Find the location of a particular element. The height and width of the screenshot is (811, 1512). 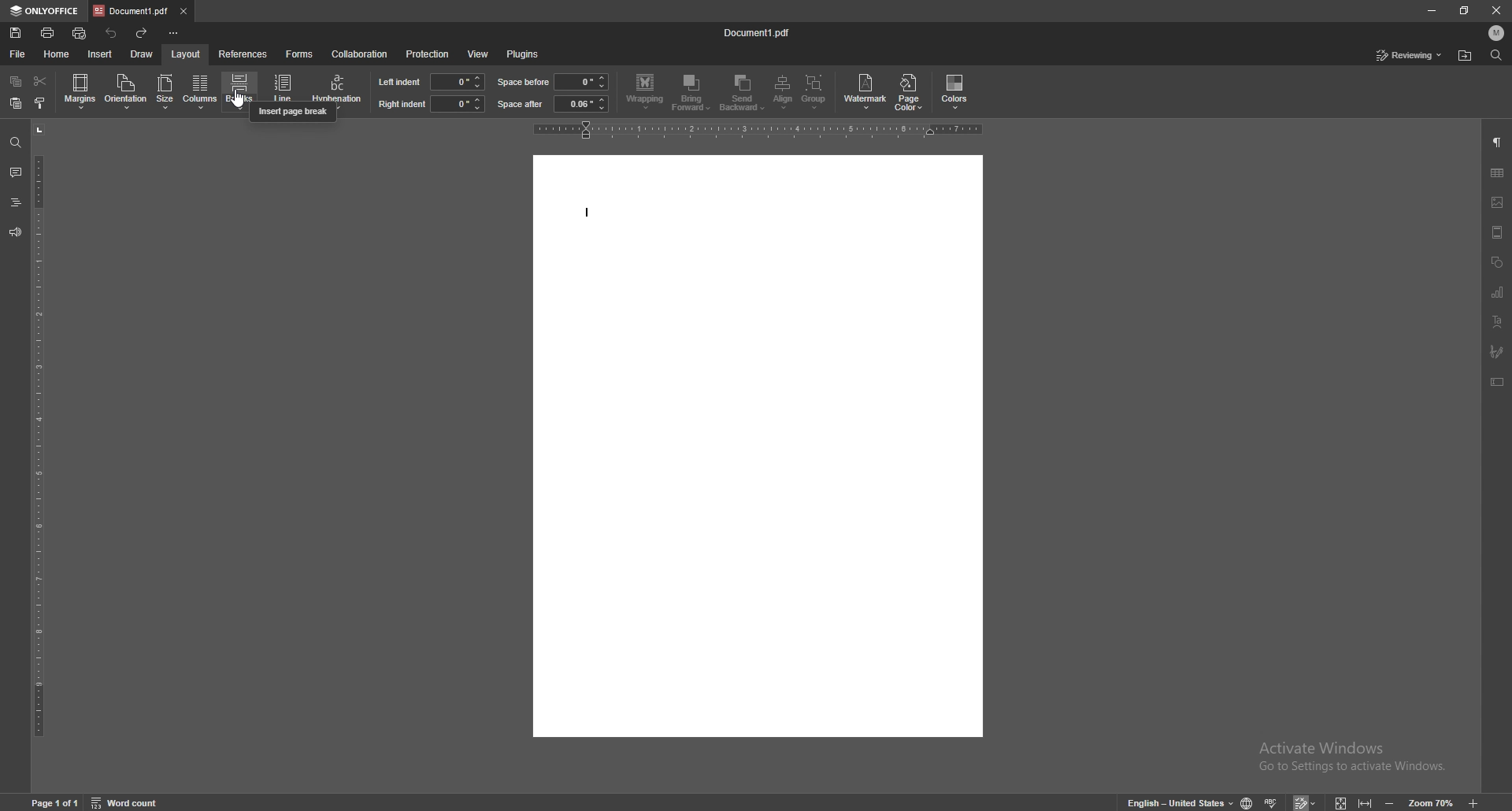

references is located at coordinates (243, 53).